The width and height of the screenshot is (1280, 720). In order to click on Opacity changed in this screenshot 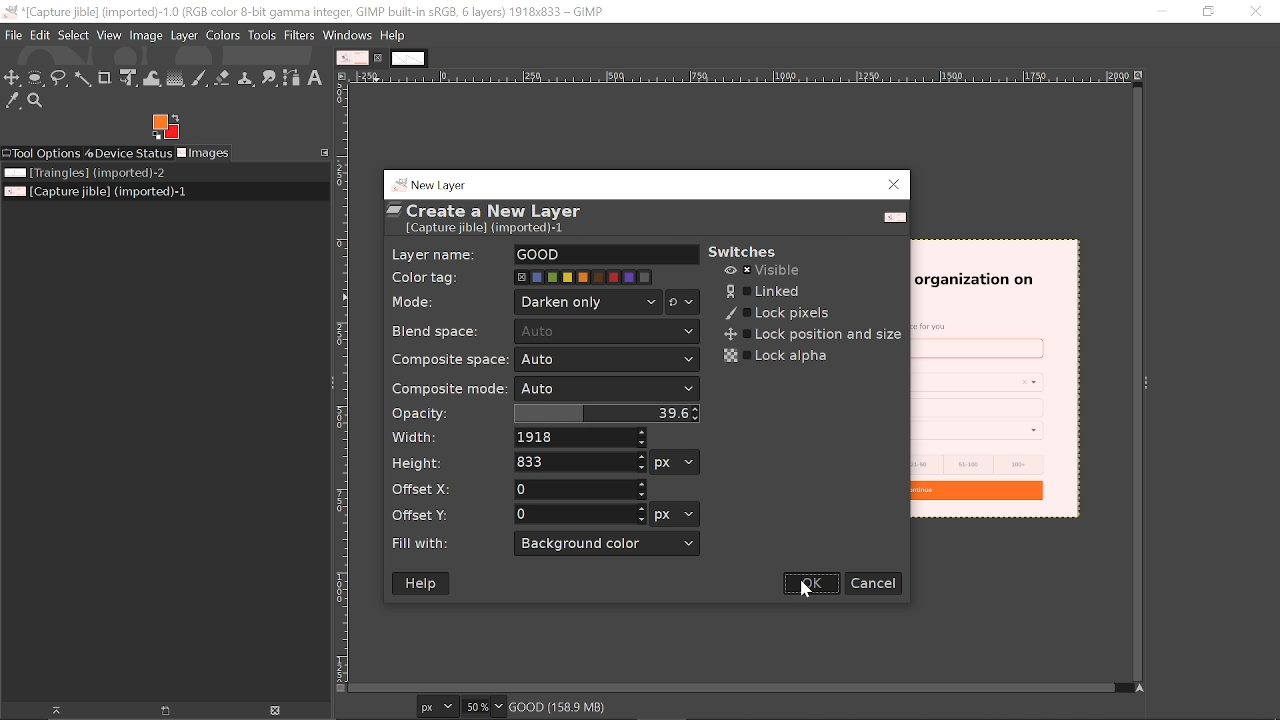, I will do `click(603, 413)`.